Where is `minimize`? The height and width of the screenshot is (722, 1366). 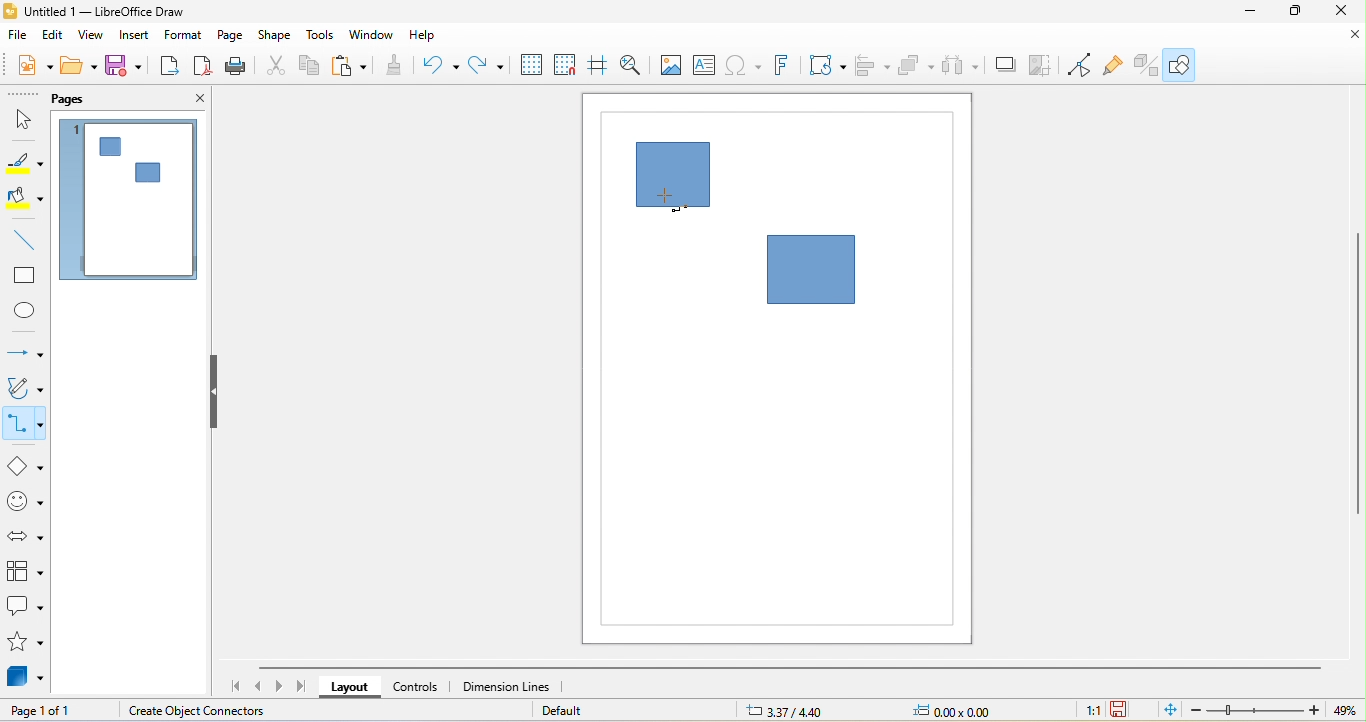 minimize is located at coordinates (1253, 14).